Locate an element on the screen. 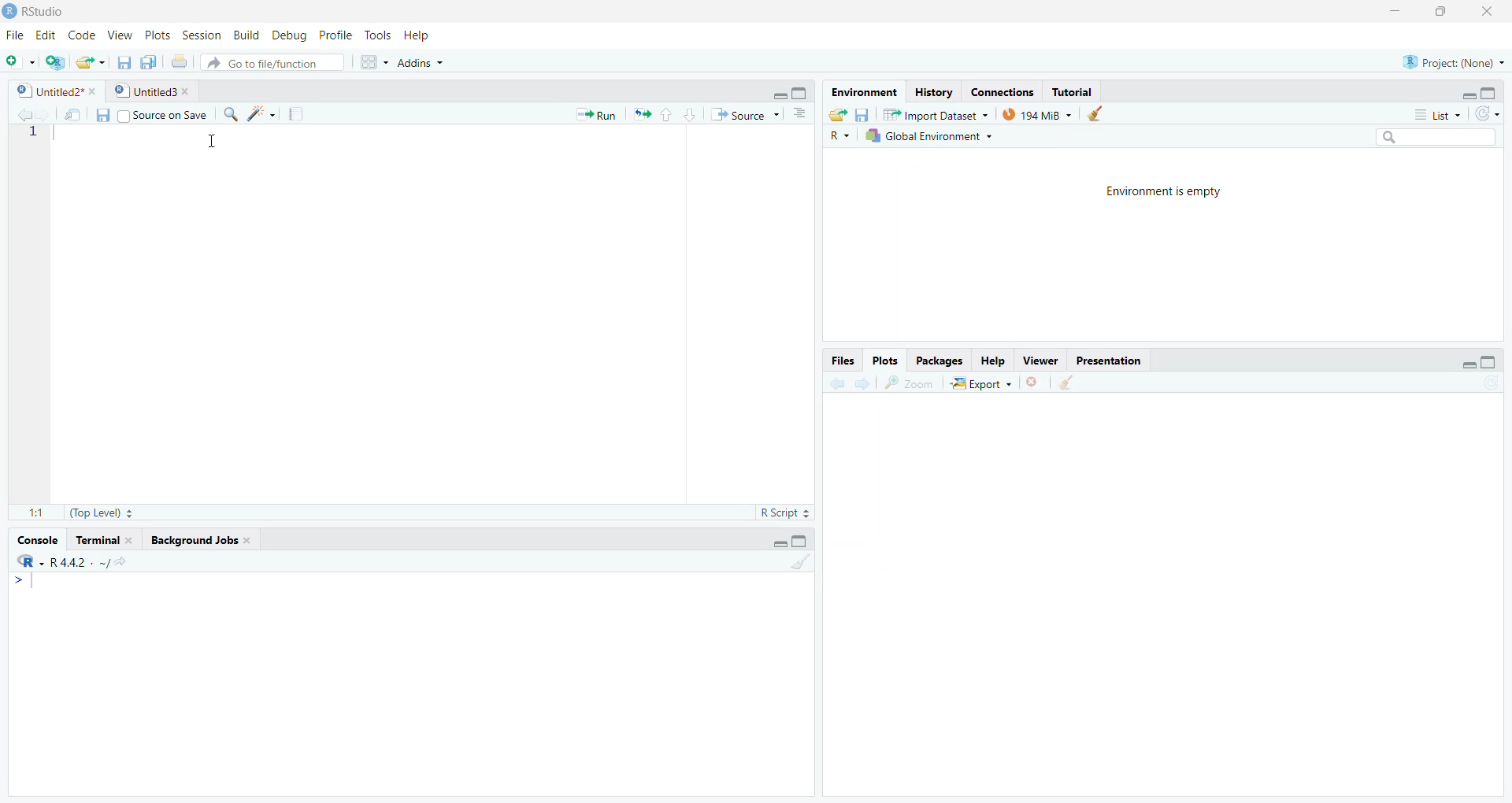 The width and height of the screenshot is (1512, 803). Minimize is located at coordinates (776, 543).